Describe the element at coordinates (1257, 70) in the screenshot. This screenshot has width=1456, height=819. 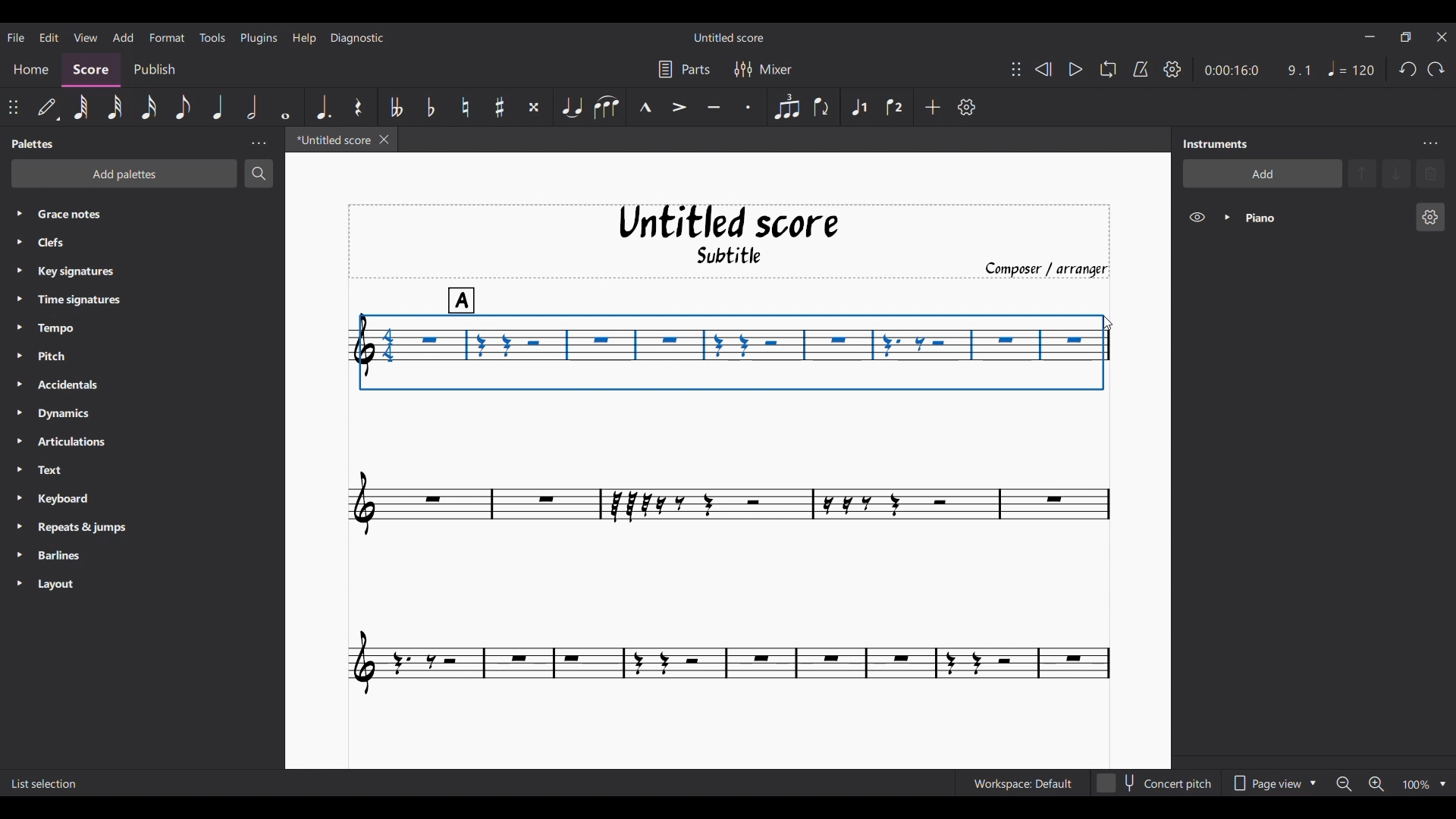
I see `Ratio and duration of current note in score` at that location.